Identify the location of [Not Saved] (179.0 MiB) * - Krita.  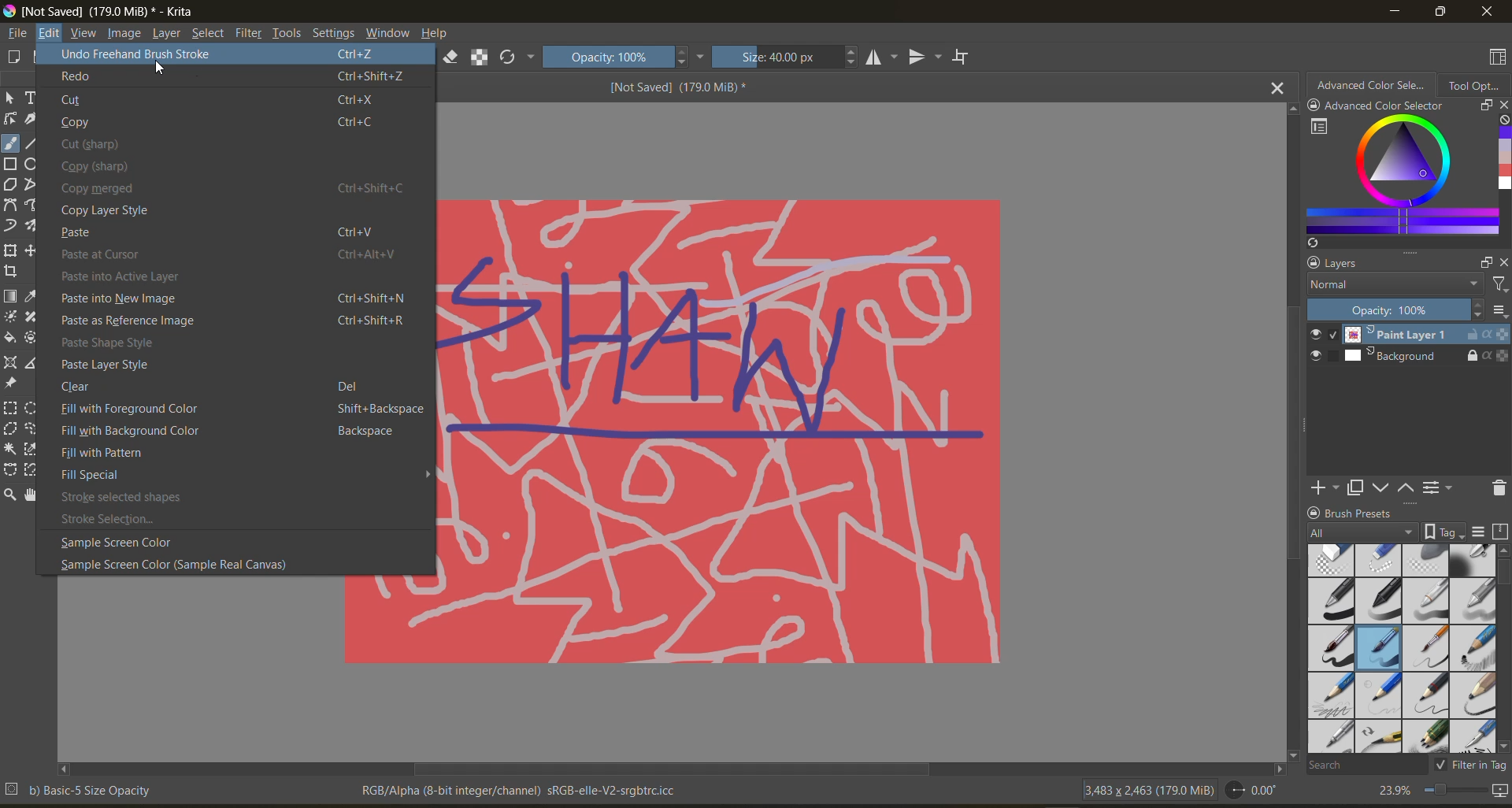
(100, 10).